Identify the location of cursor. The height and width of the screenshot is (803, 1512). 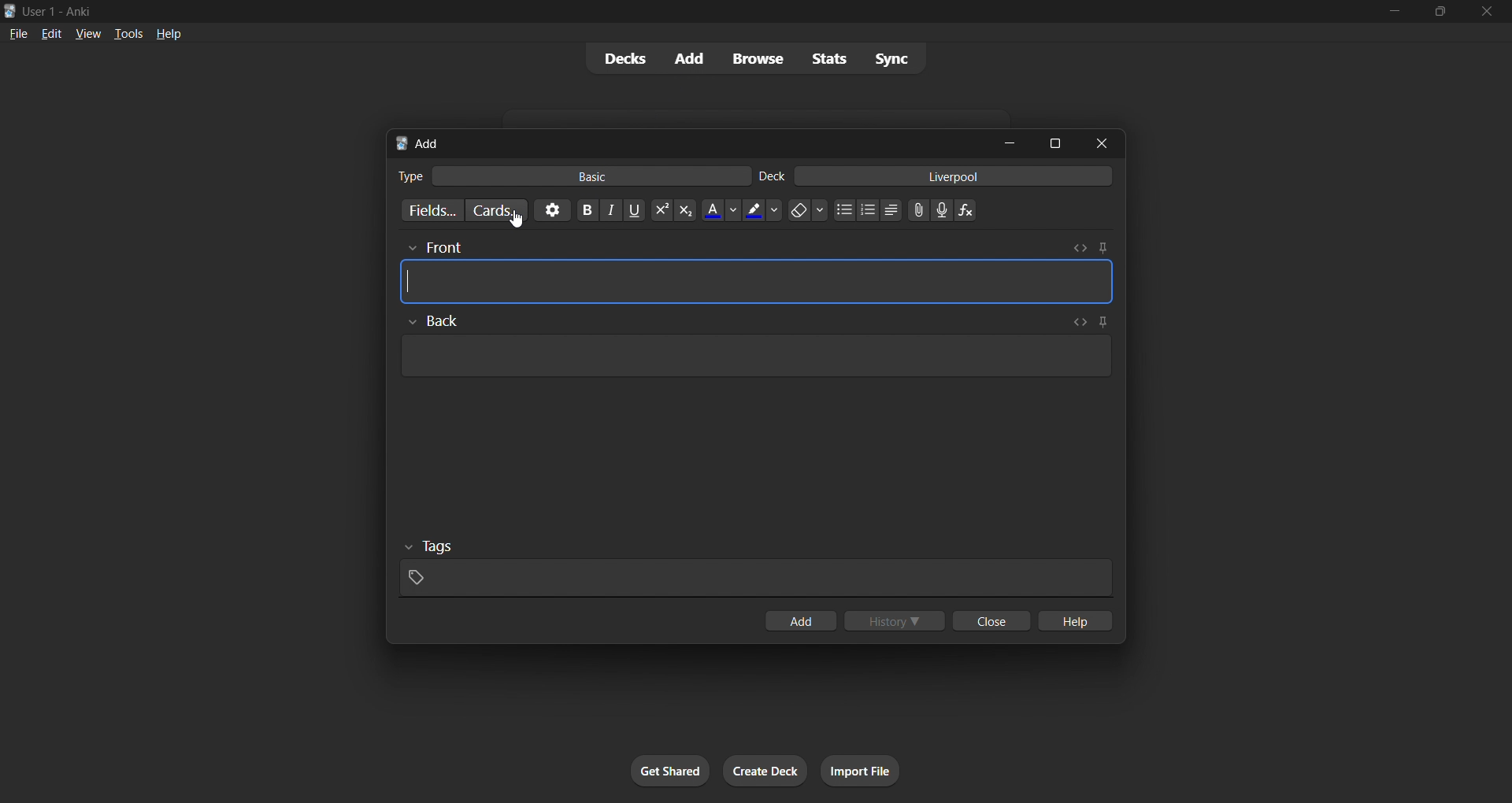
(514, 220).